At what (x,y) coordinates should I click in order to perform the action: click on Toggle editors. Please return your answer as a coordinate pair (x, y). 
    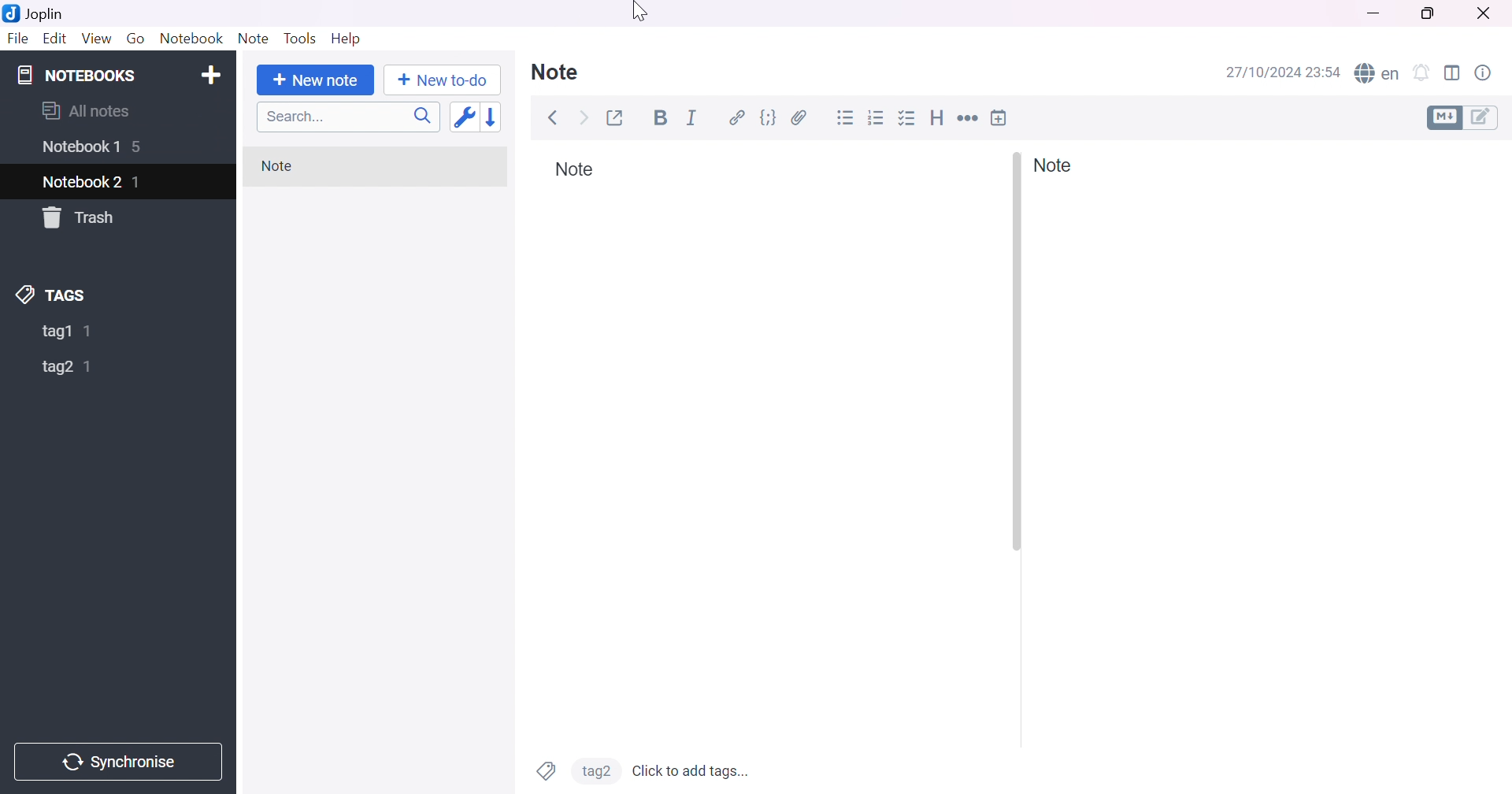
    Looking at the image, I should click on (1466, 117).